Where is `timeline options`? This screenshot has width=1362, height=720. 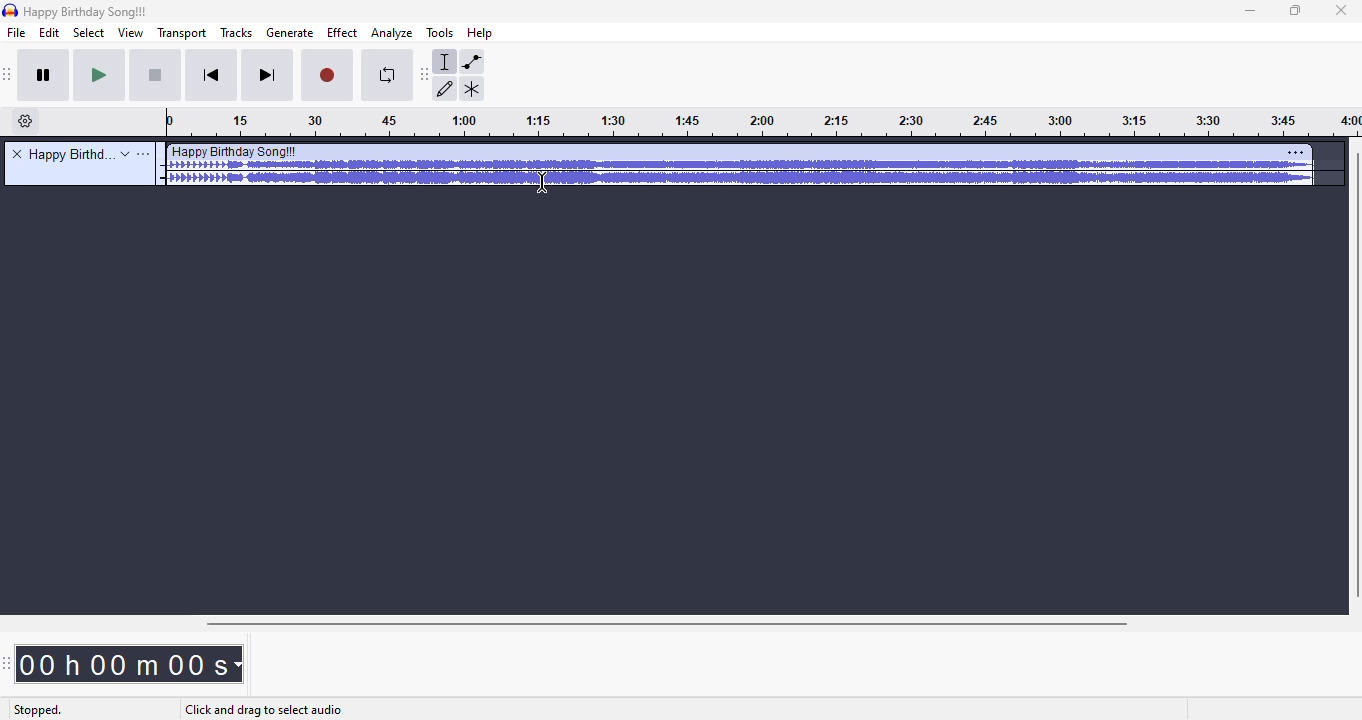
timeline options is located at coordinates (26, 121).